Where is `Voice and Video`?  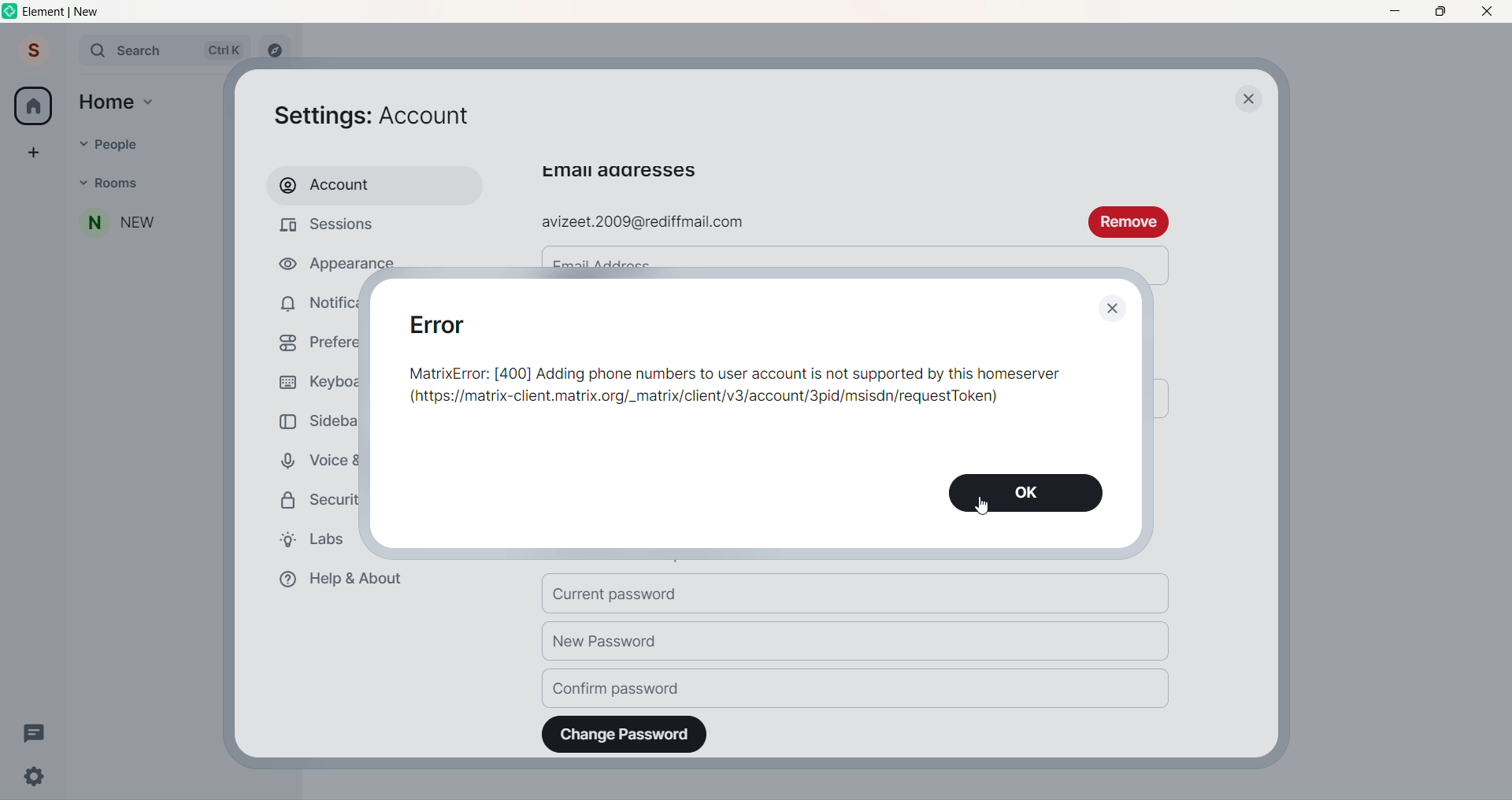 Voice and Video is located at coordinates (306, 461).